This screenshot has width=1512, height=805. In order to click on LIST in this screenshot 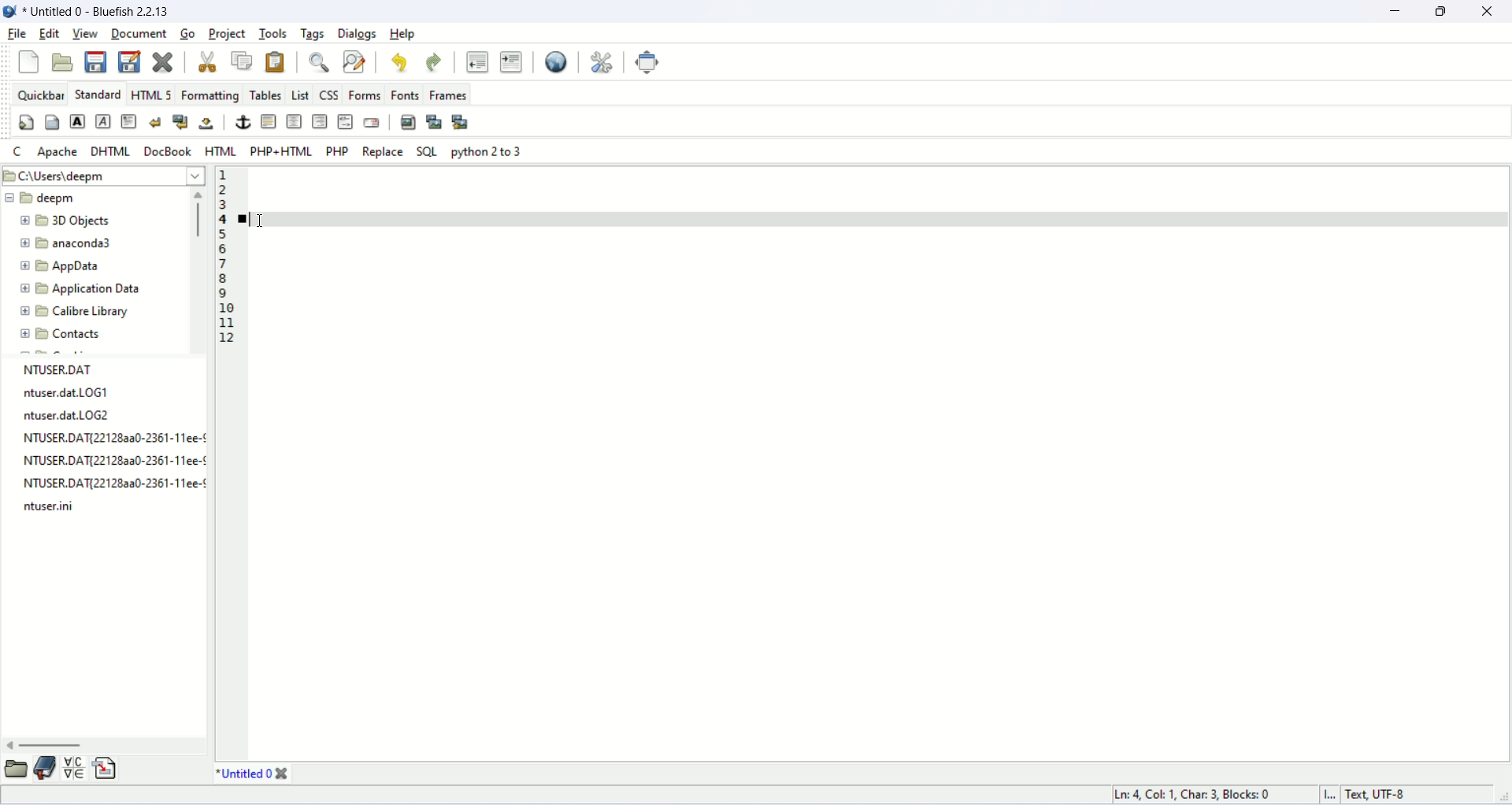, I will do `click(302, 95)`.